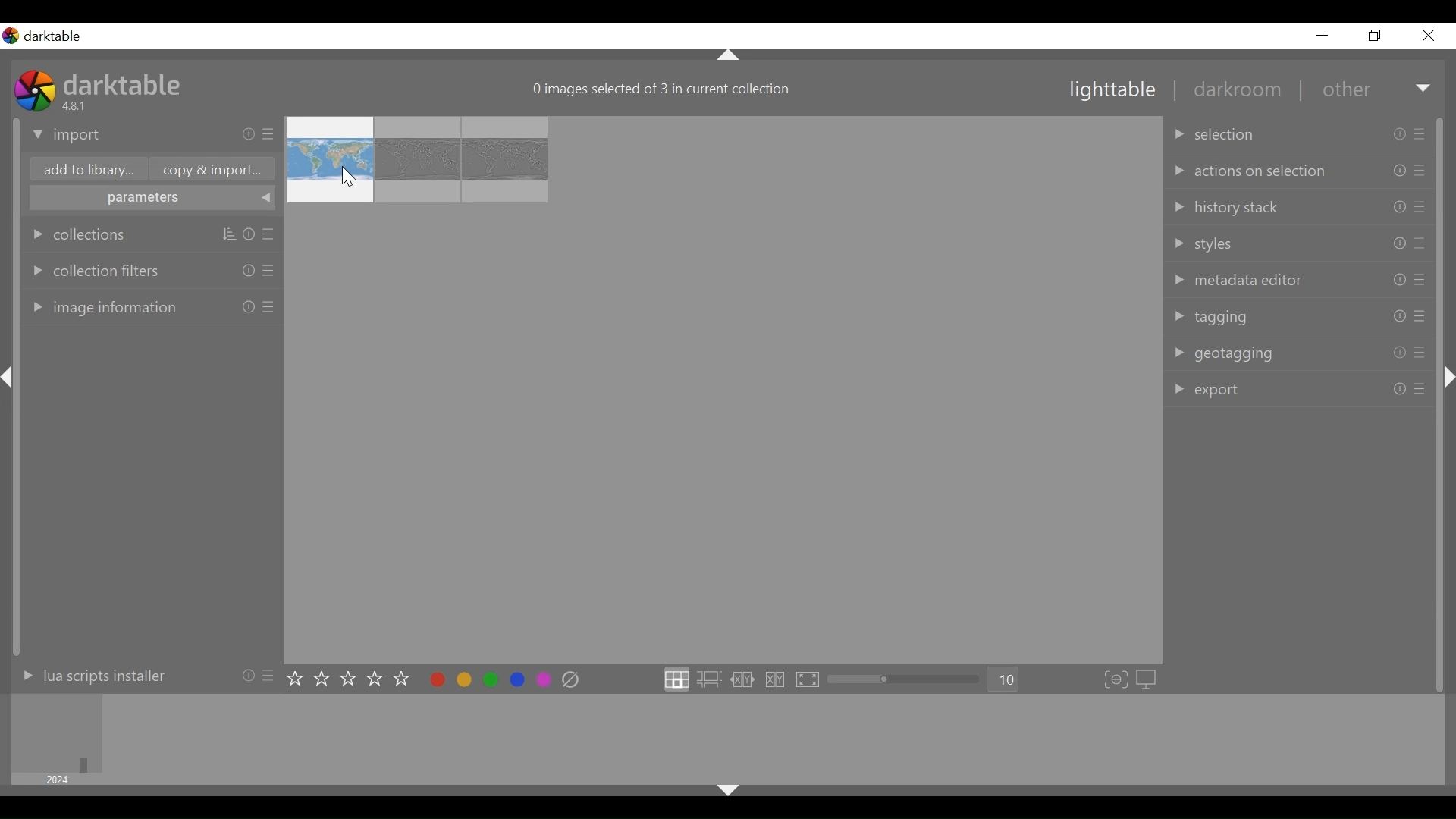 The width and height of the screenshot is (1456, 819). I want to click on darktable, so click(125, 85).